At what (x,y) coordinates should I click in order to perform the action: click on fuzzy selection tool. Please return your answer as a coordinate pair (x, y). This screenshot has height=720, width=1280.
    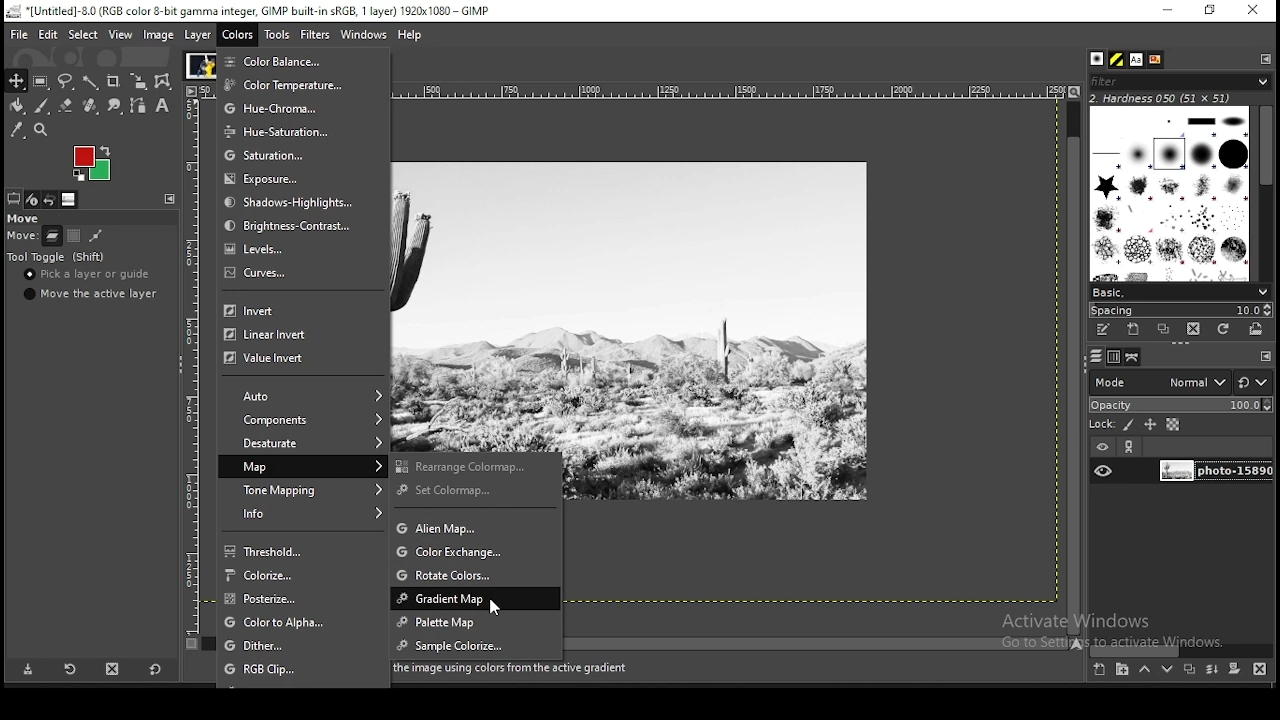
    Looking at the image, I should click on (92, 81).